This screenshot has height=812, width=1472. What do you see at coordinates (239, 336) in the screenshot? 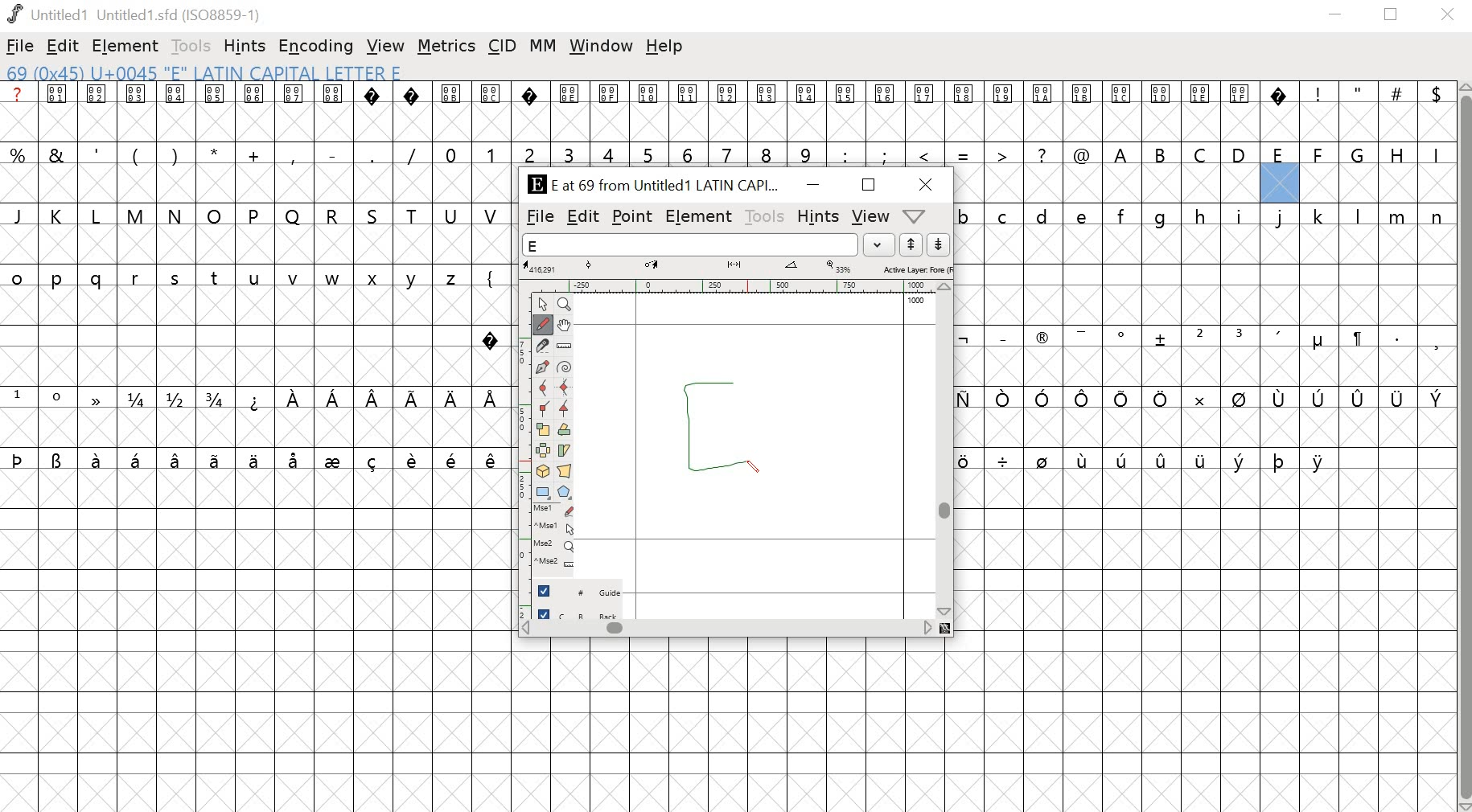
I see `empty cells` at bounding box center [239, 336].